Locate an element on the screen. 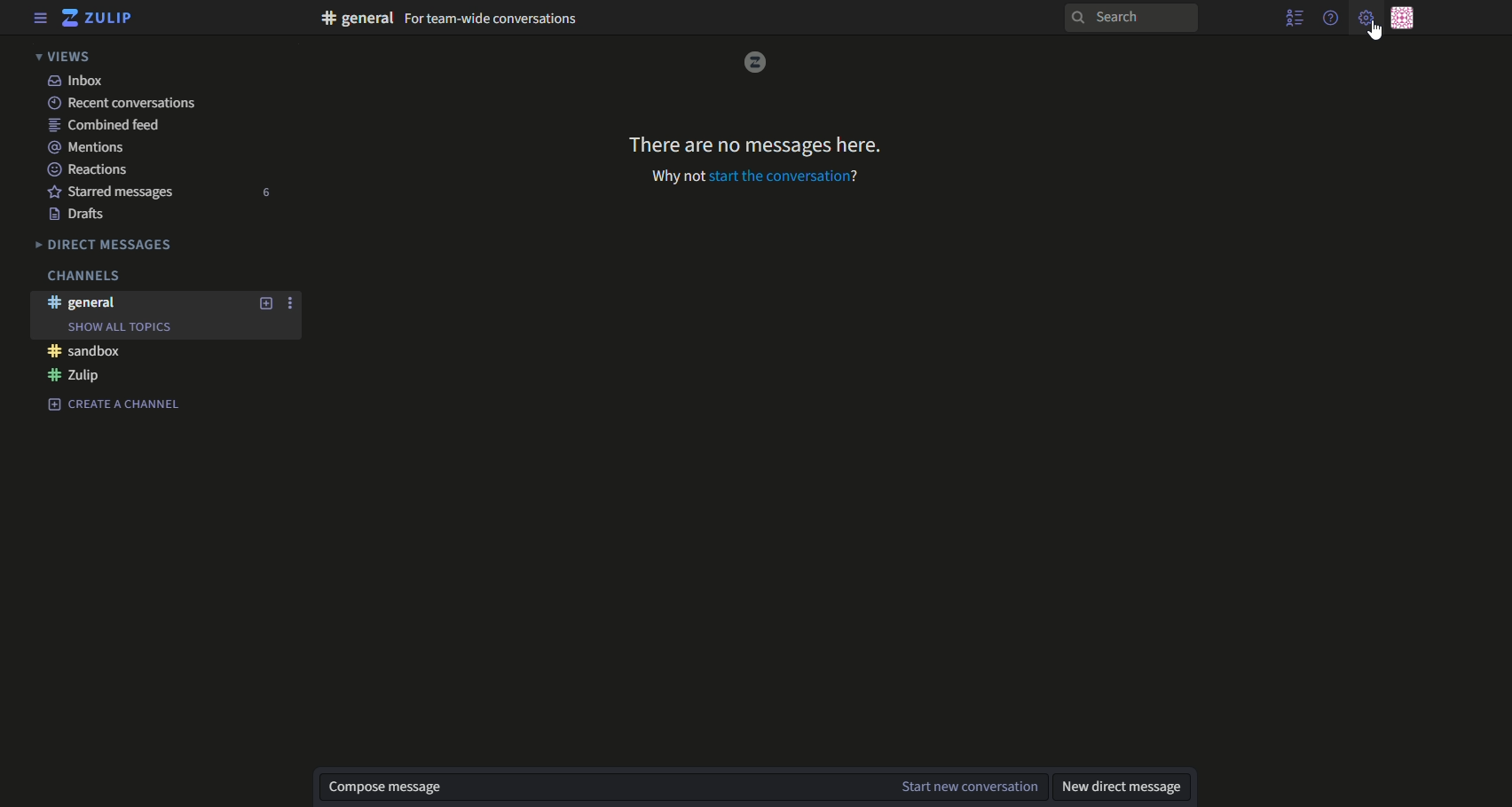 The width and height of the screenshot is (1512, 807). text is located at coordinates (77, 80).